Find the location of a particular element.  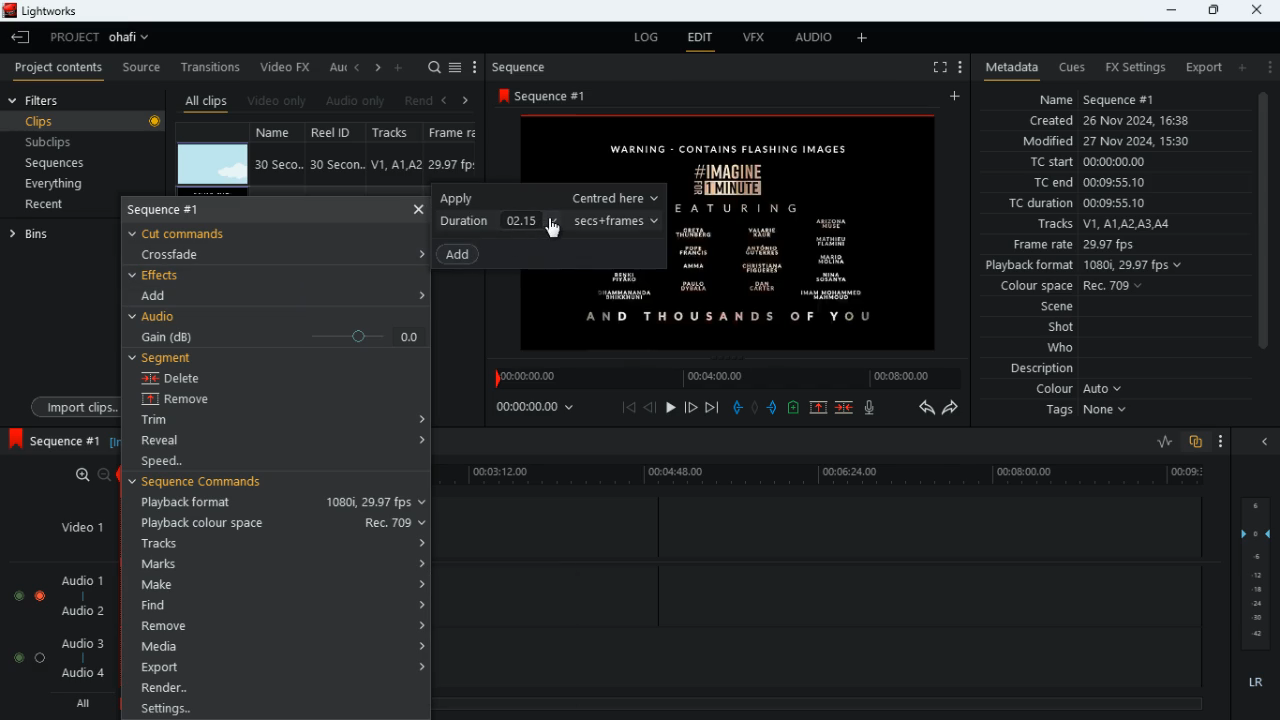

everything is located at coordinates (51, 185).